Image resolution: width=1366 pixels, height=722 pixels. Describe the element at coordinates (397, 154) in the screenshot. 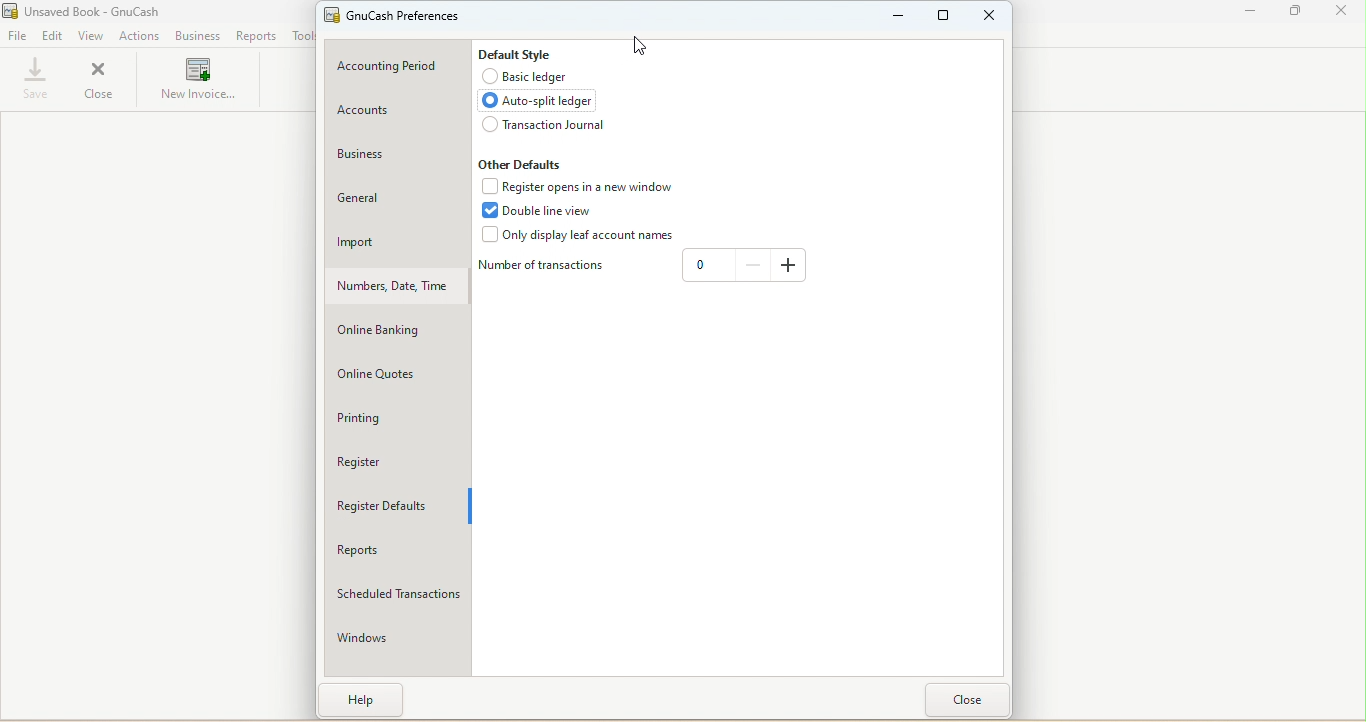

I see `Business` at that location.